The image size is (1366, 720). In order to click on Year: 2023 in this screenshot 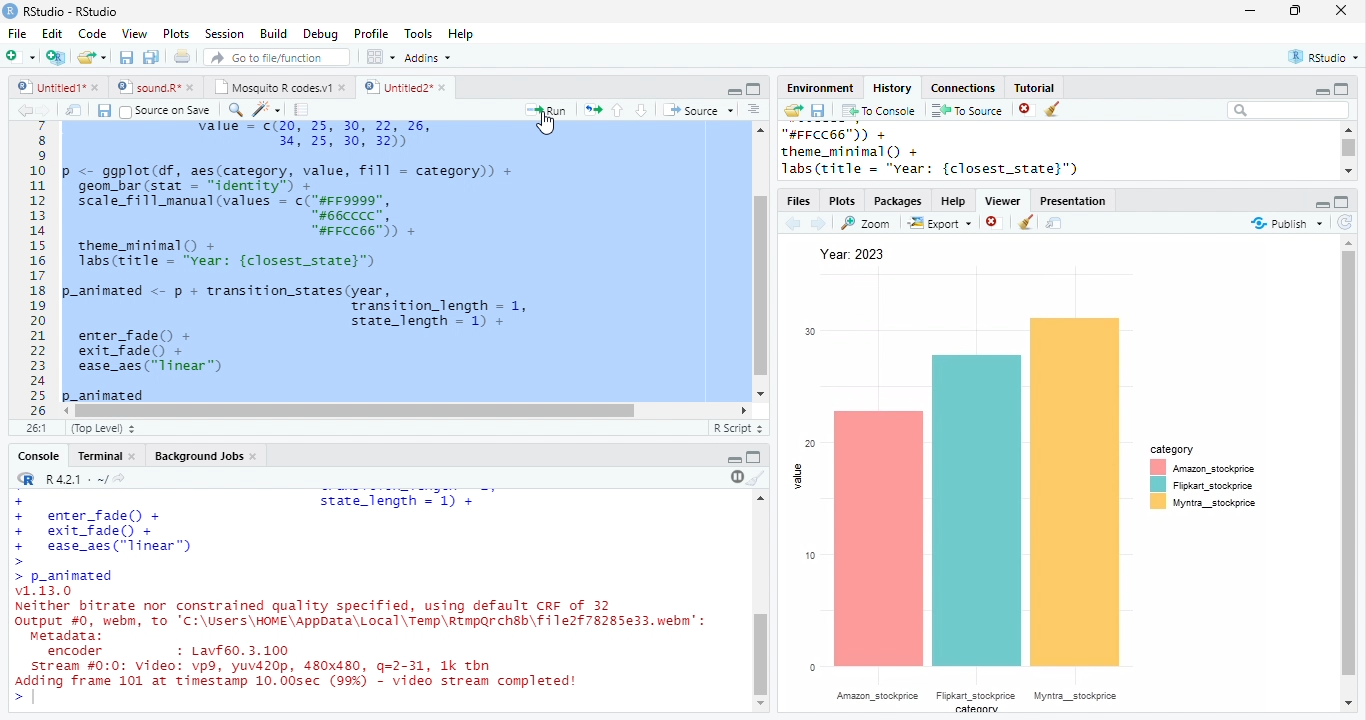, I will do `click(850, 255)`.